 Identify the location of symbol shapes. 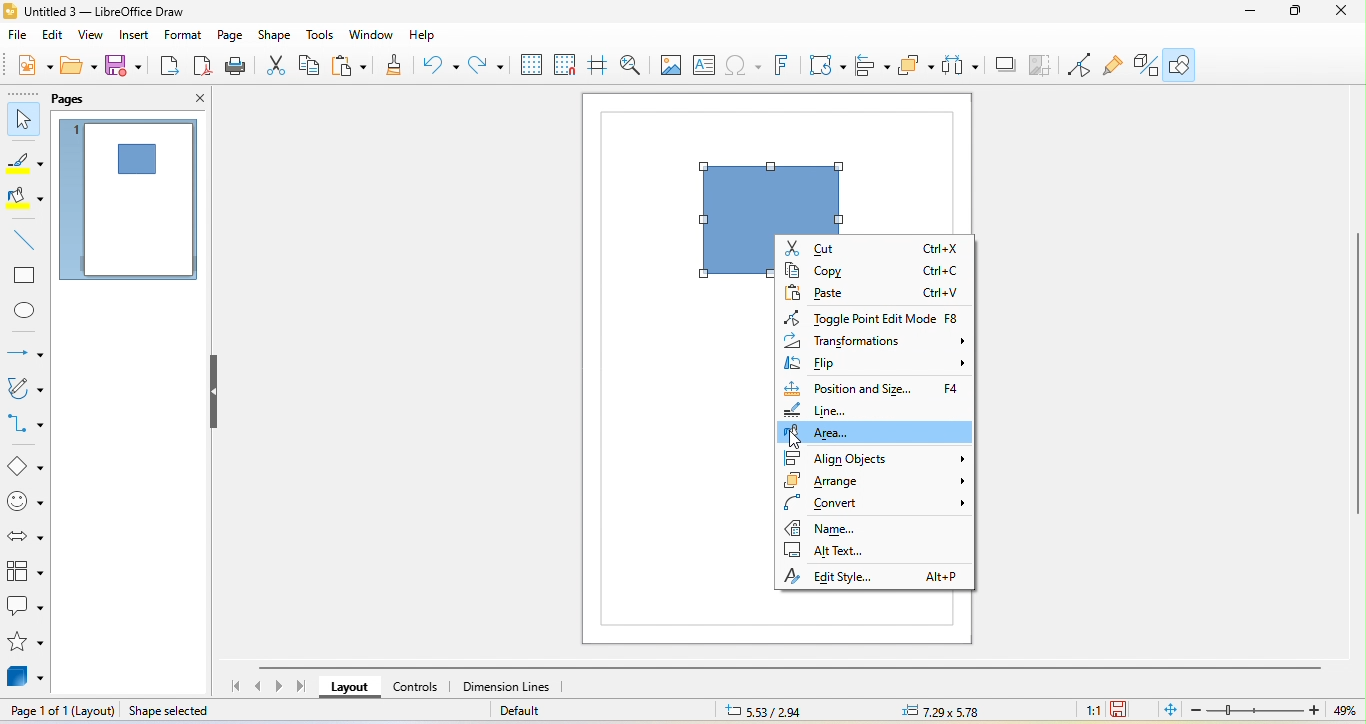
(24, 502).